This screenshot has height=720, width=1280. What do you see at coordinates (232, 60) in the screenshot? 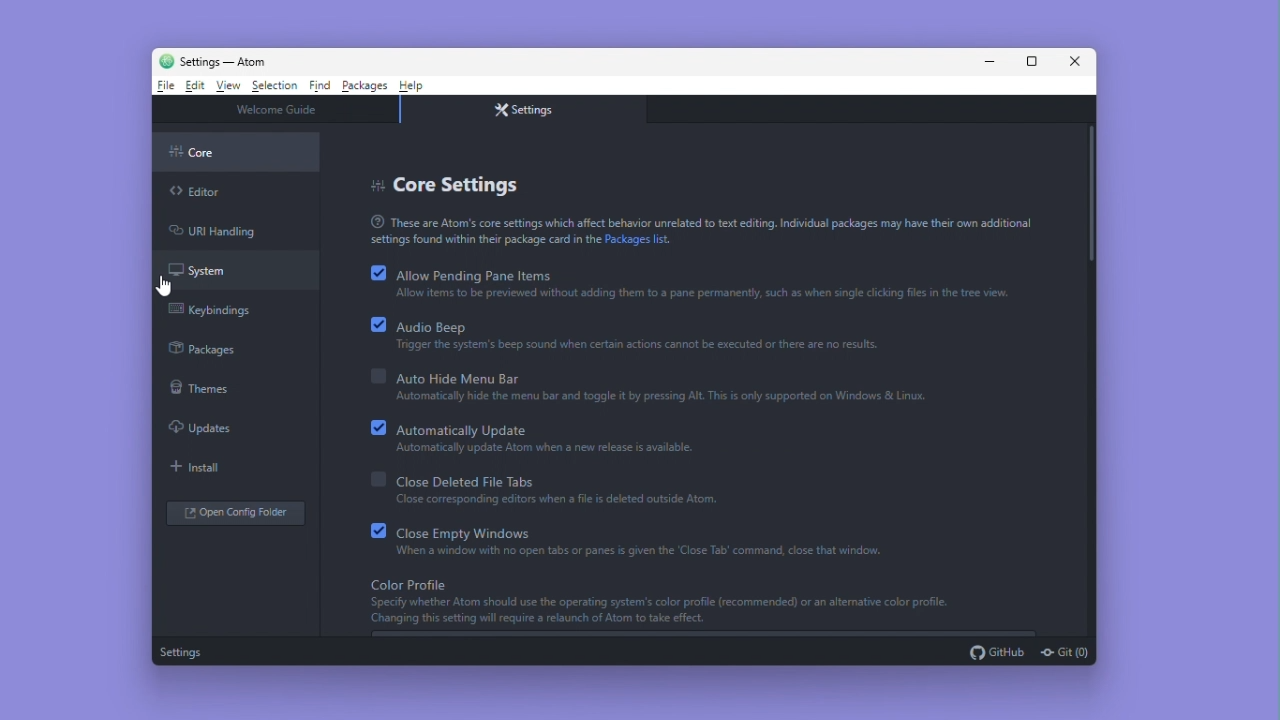
I see `Welcome guide - Atom` at bounding box center [232, 60].